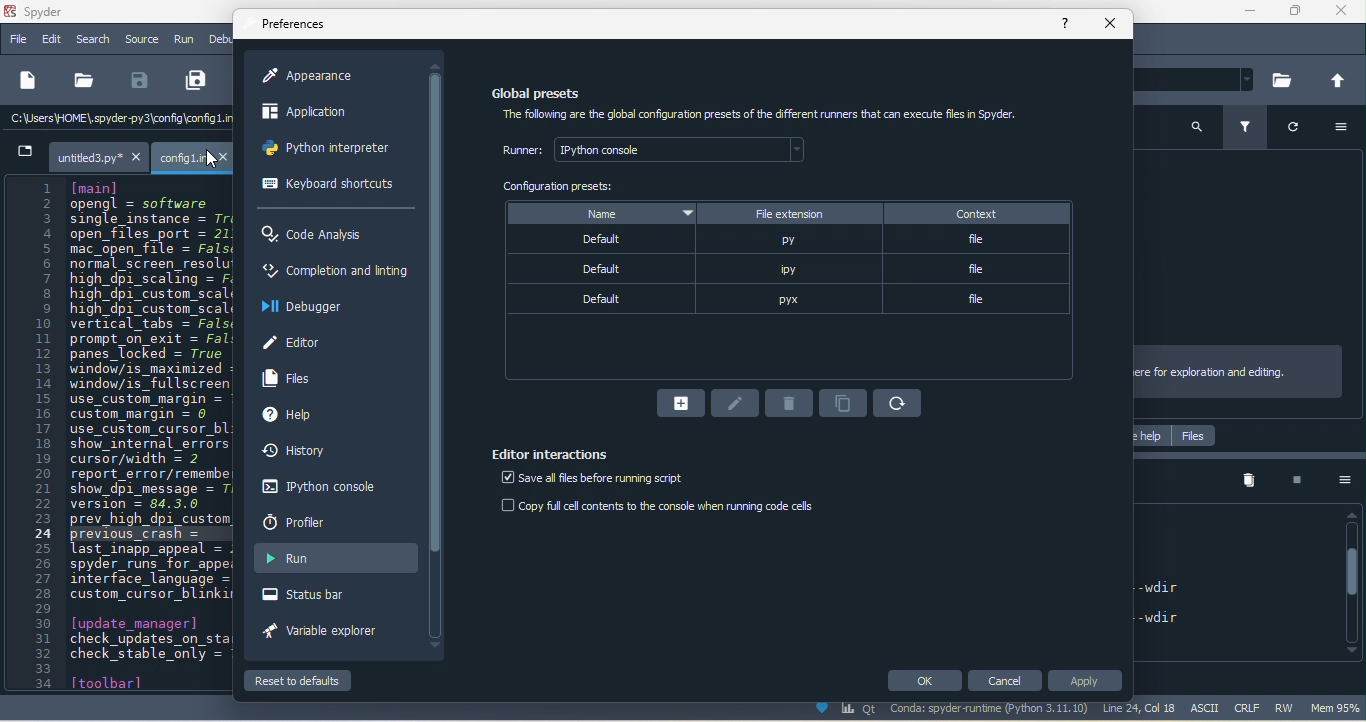 Image resolution: width=1366 pixels, height=722 pixels. I want to click on run, so click(335, 557).